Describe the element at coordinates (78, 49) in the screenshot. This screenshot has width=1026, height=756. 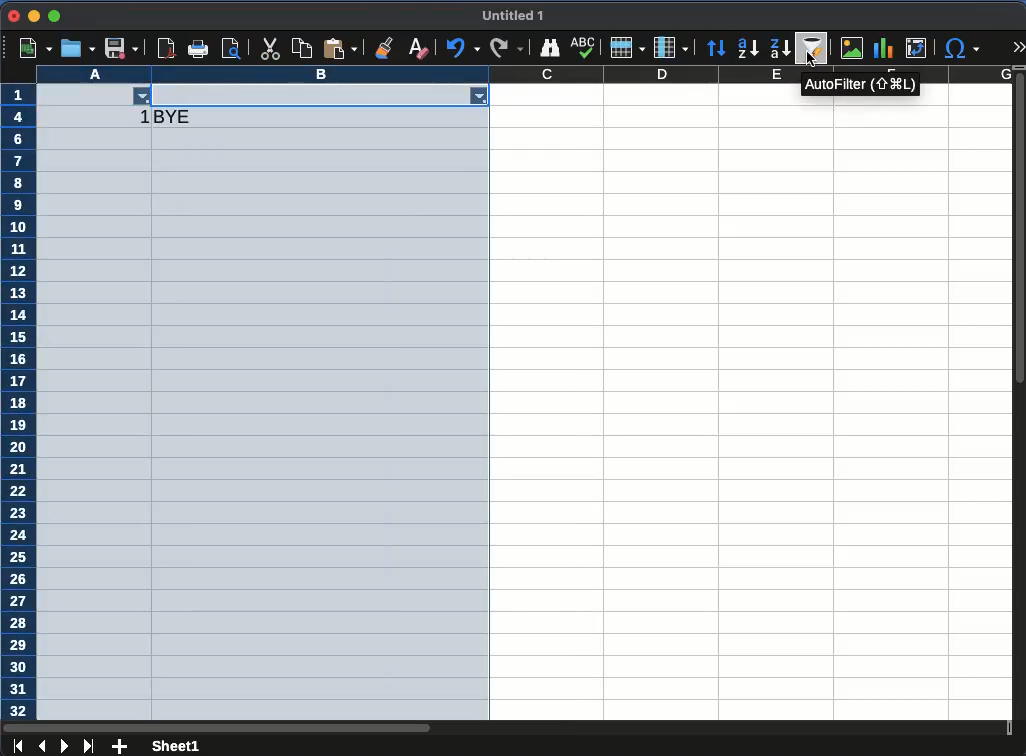
I see `open` at that location.